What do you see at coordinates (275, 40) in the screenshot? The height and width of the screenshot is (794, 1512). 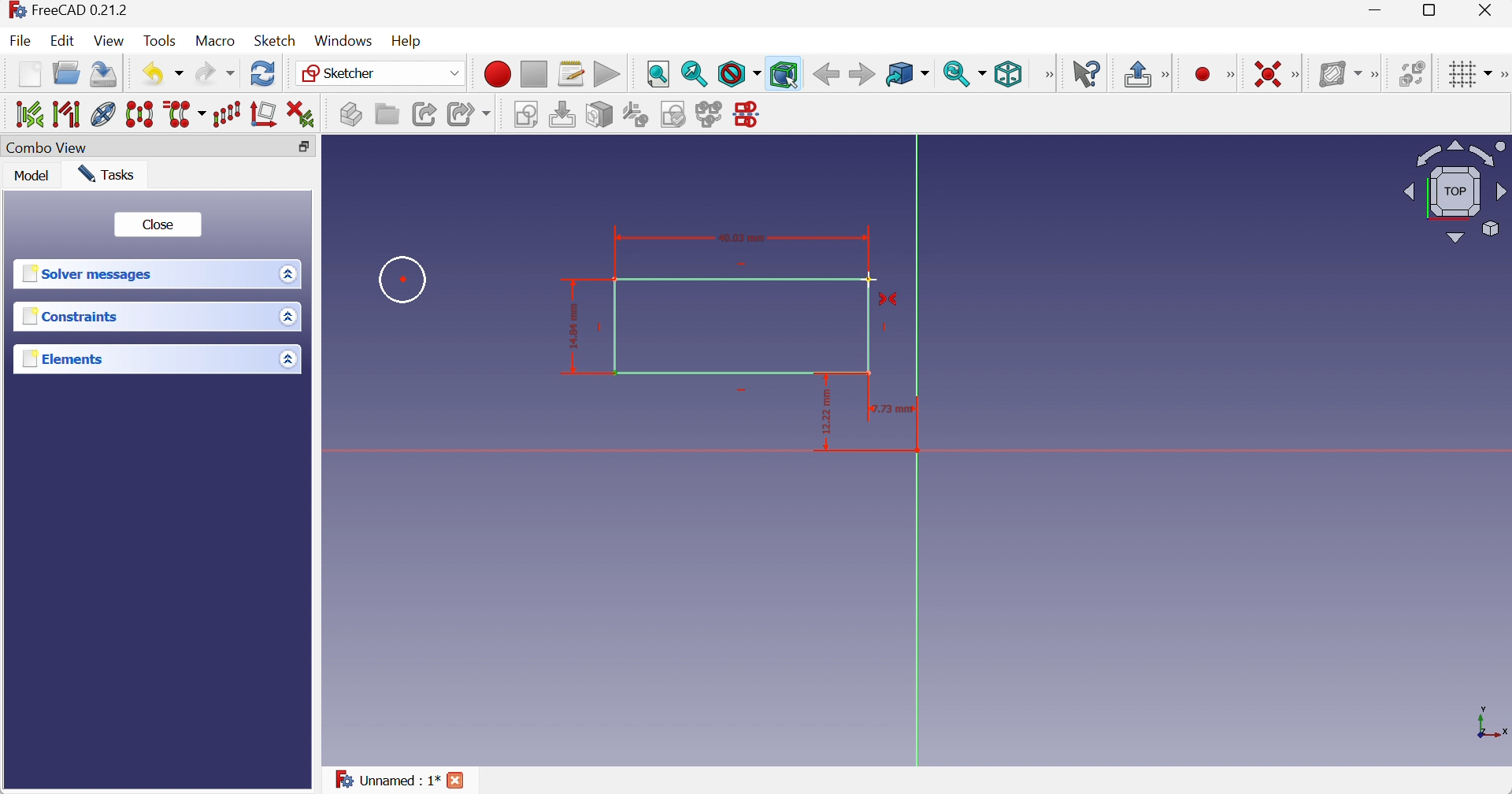 I see `Sketch` at bounding box center [275, 40].